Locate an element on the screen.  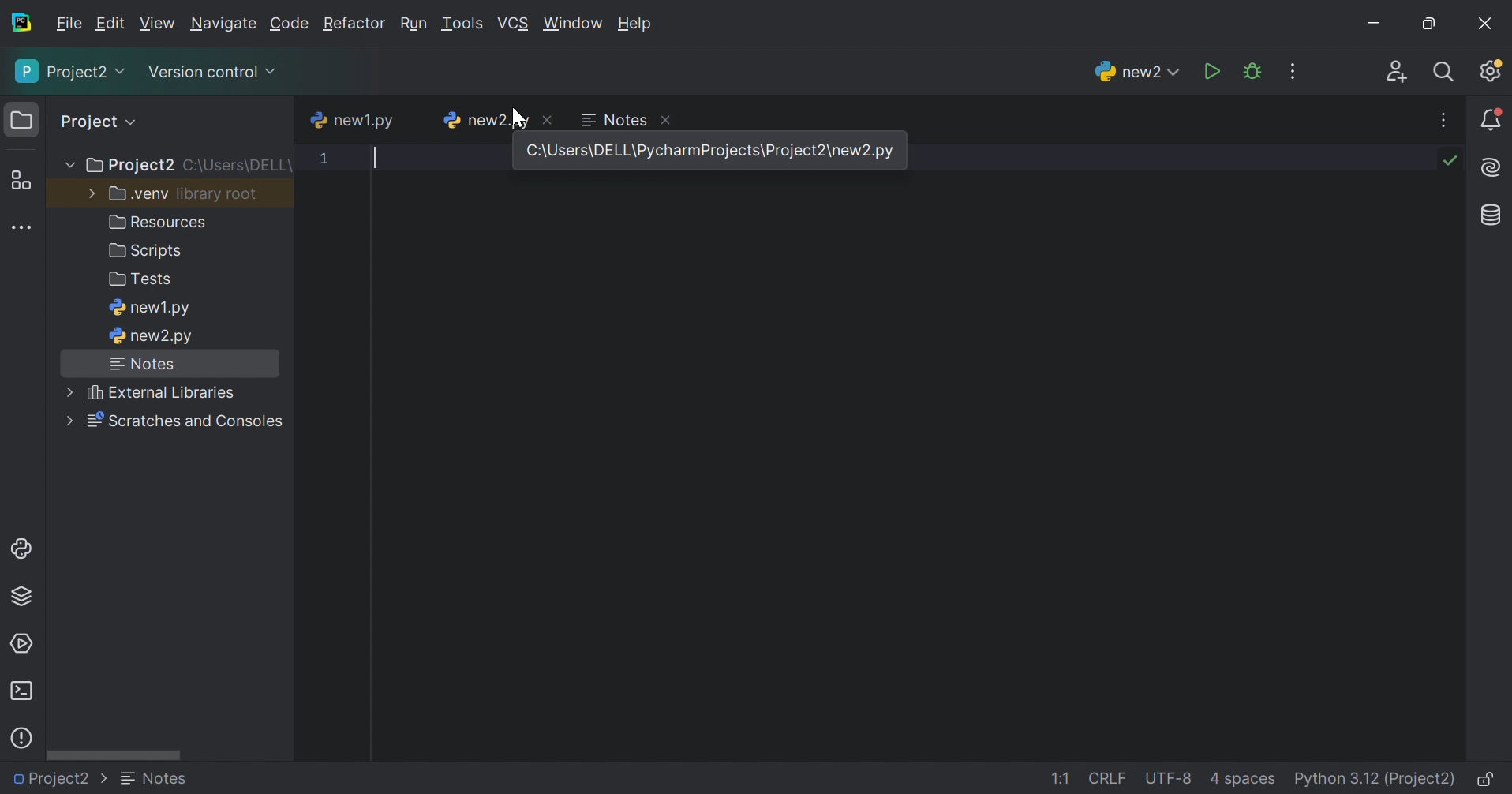
scroll bar is located at coordinates (466, 143).